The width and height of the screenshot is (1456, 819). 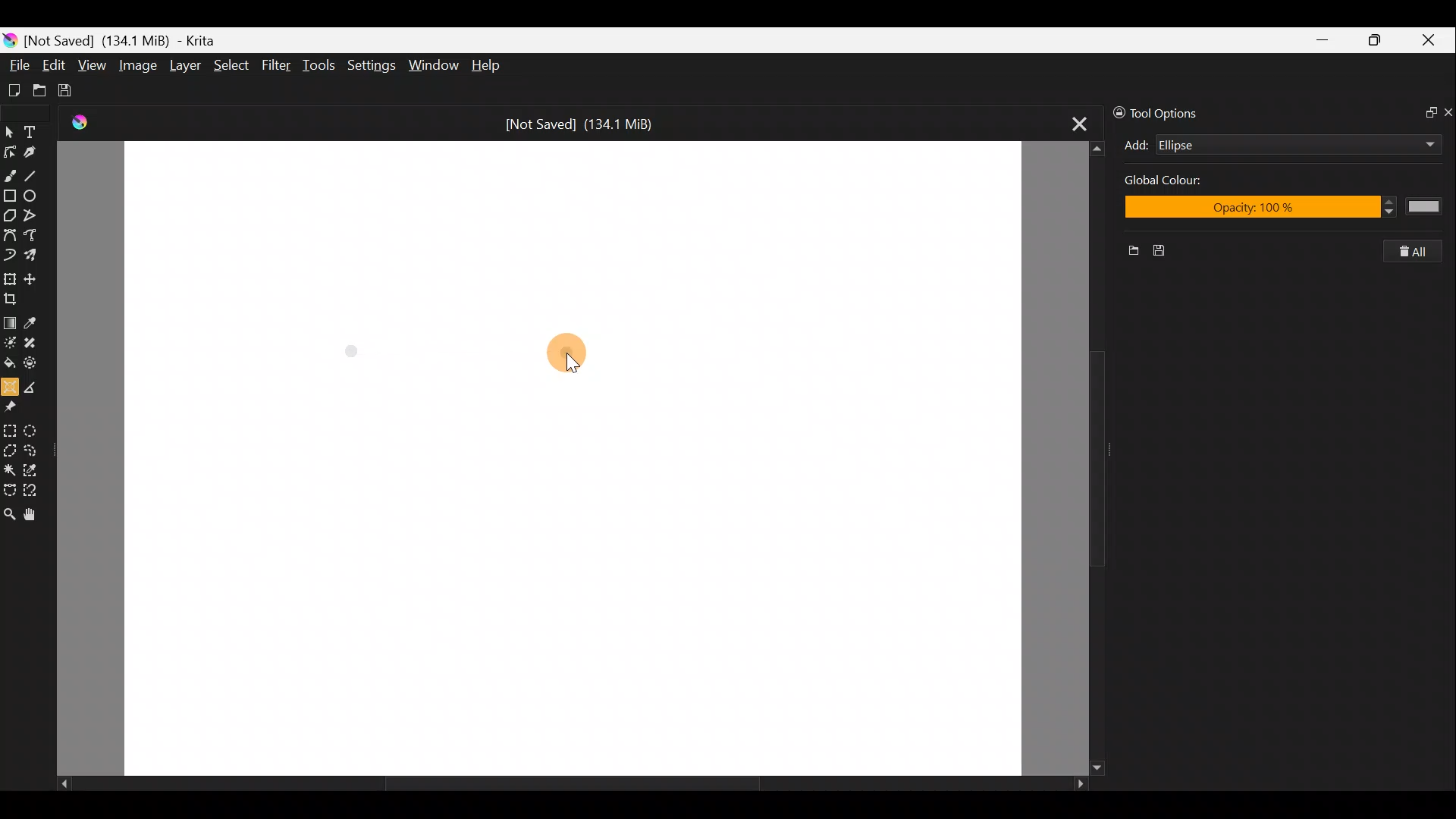 I want to click on Transform a layer/selection, so click(x=11, y=277).